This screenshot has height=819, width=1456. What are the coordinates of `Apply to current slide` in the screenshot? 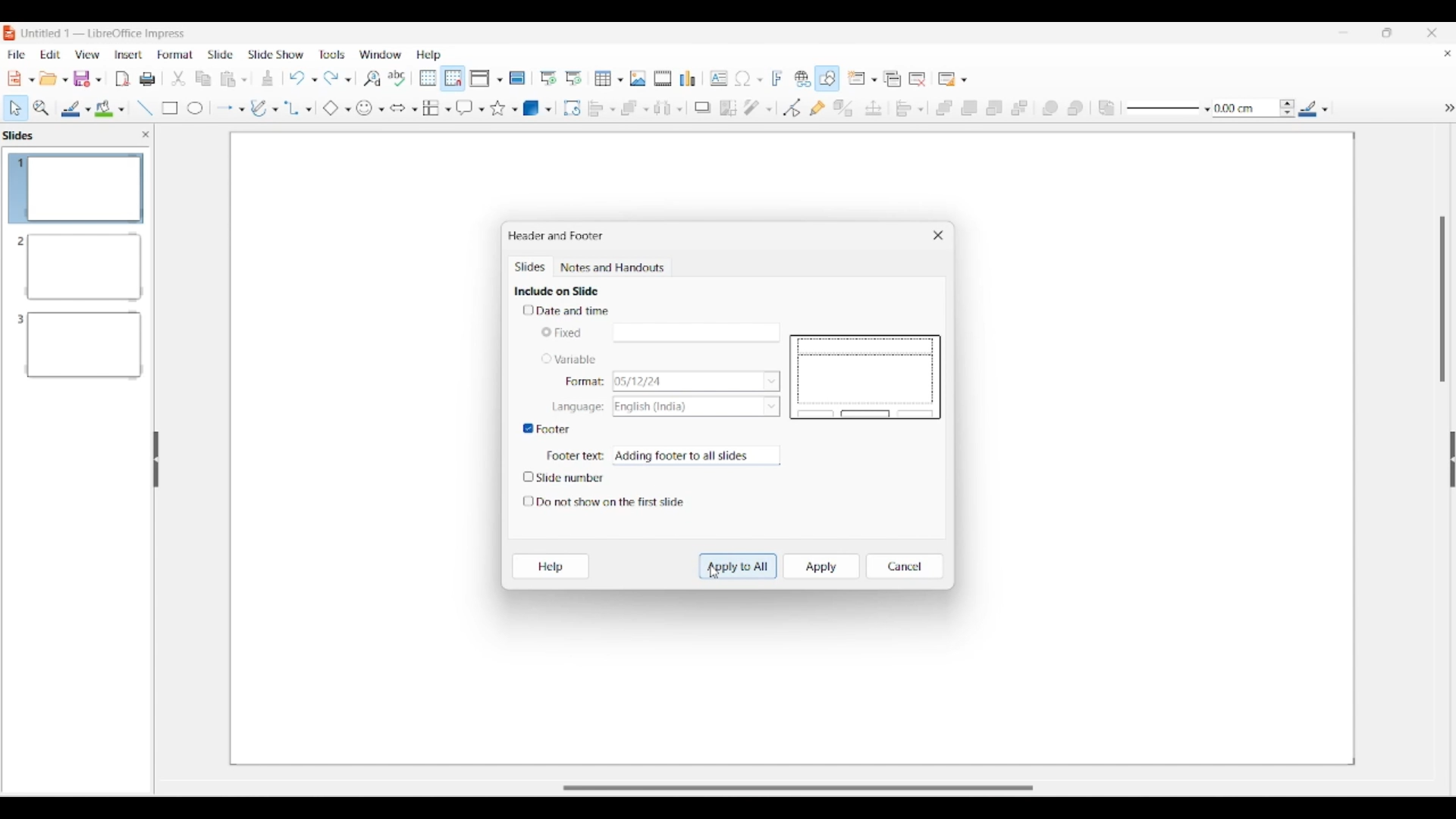 It's located at (822, 566).